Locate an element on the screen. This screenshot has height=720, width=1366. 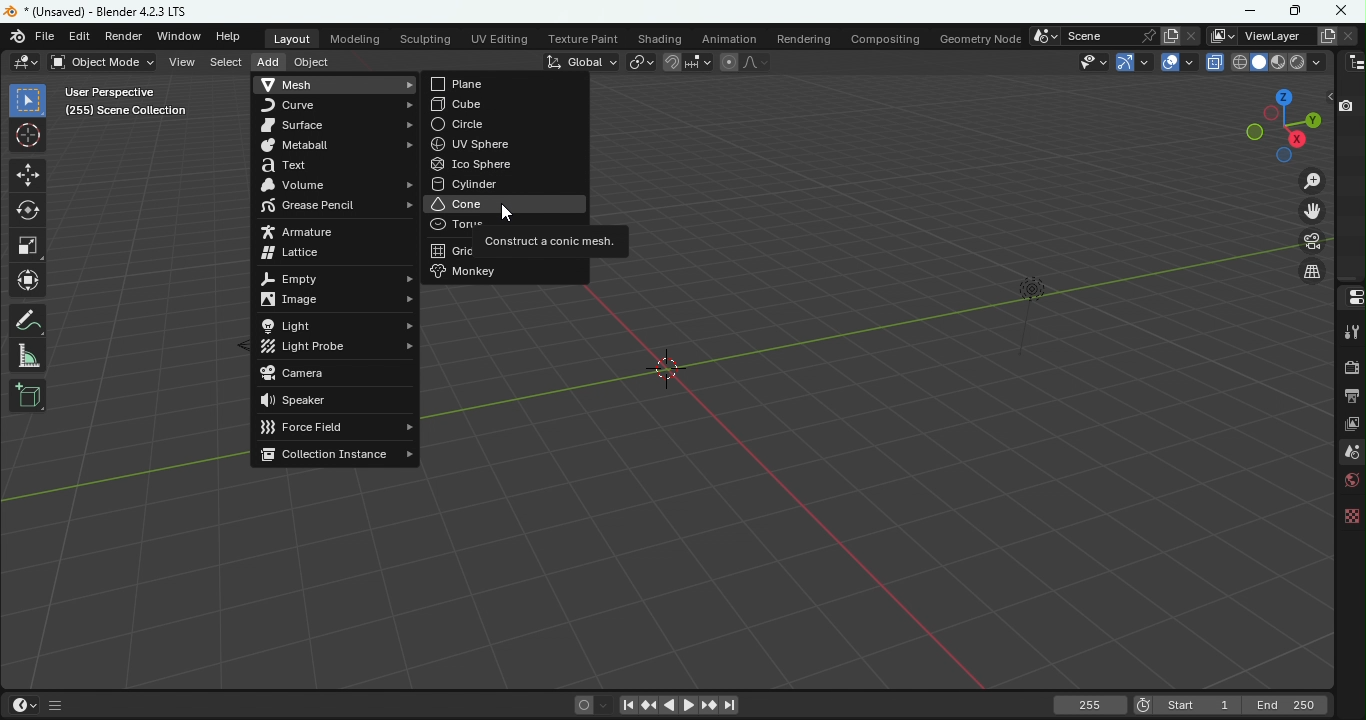
Play animation is located at coordinates (666, 705).